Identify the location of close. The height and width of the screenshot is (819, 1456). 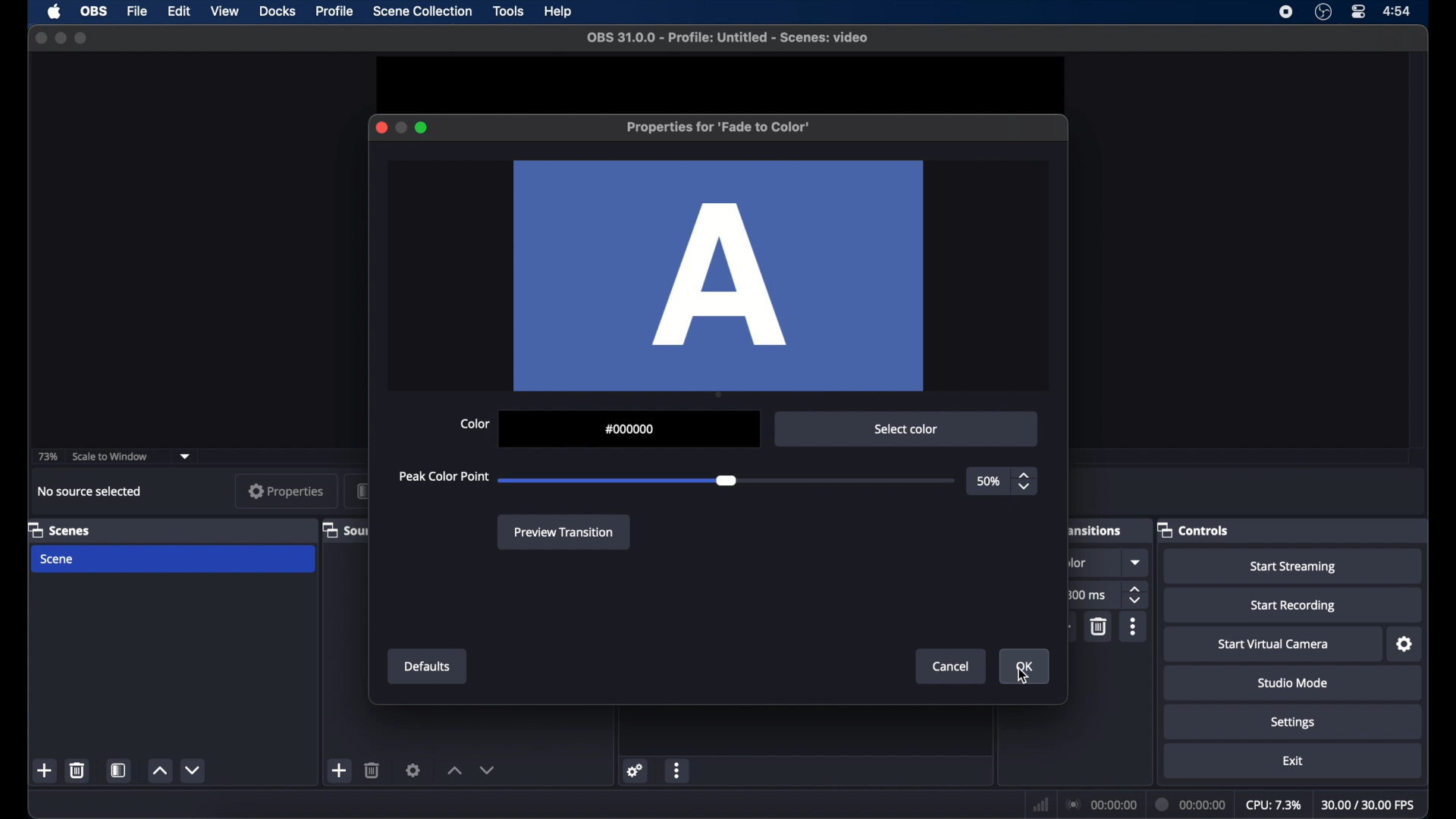
(381, 127).